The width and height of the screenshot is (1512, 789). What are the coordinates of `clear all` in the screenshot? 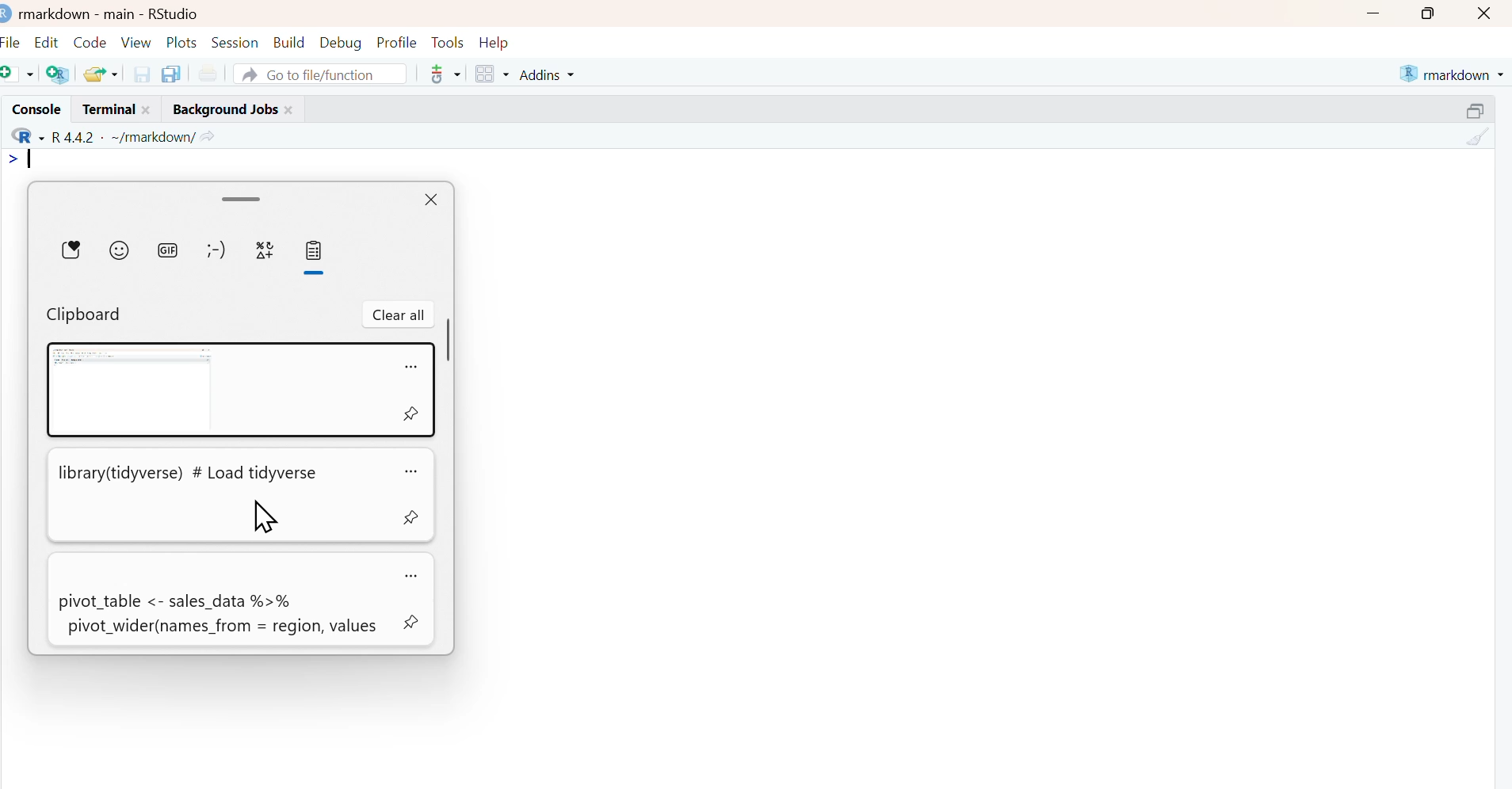 It's located at (399, 315).